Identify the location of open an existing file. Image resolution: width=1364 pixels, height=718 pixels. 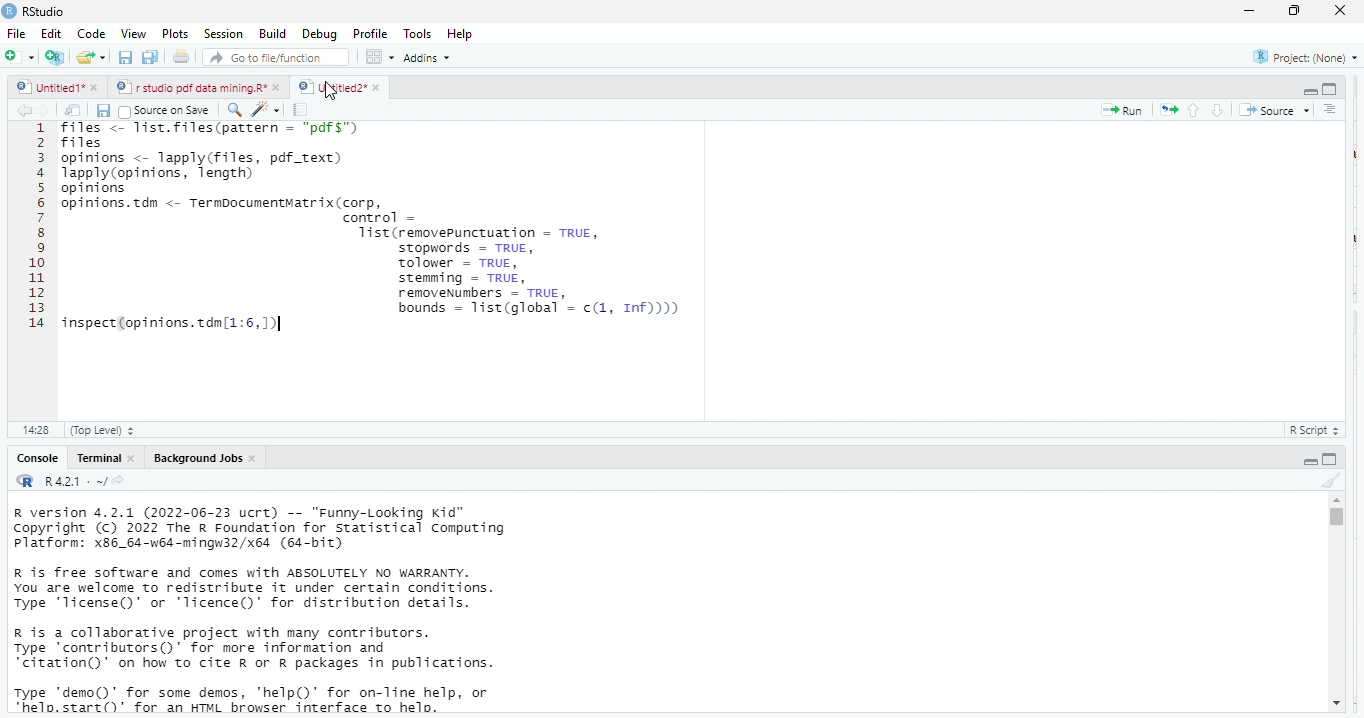
(92, 59).